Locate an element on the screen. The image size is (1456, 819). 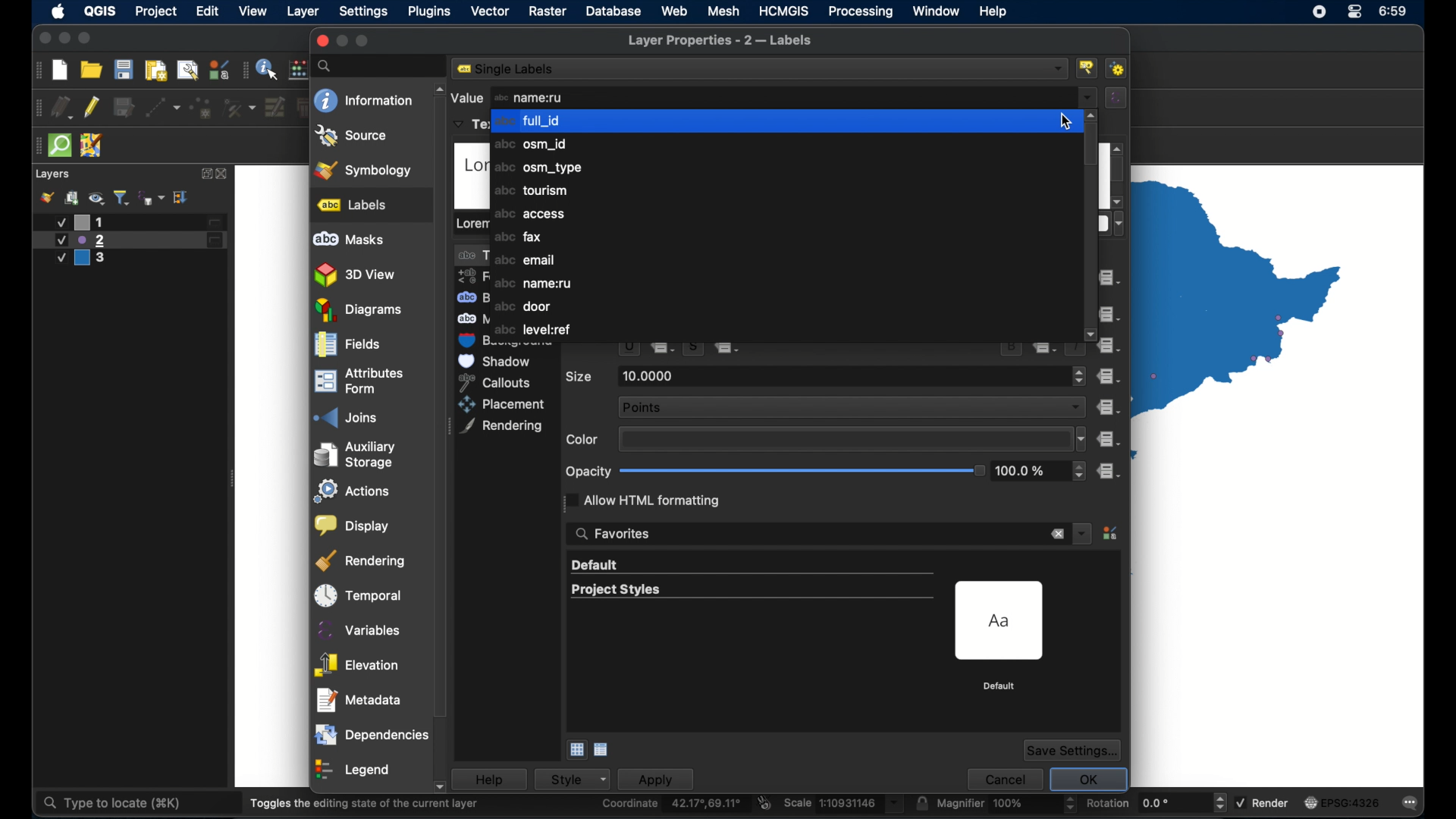
data defined override is located at coordinates (1108, 376).